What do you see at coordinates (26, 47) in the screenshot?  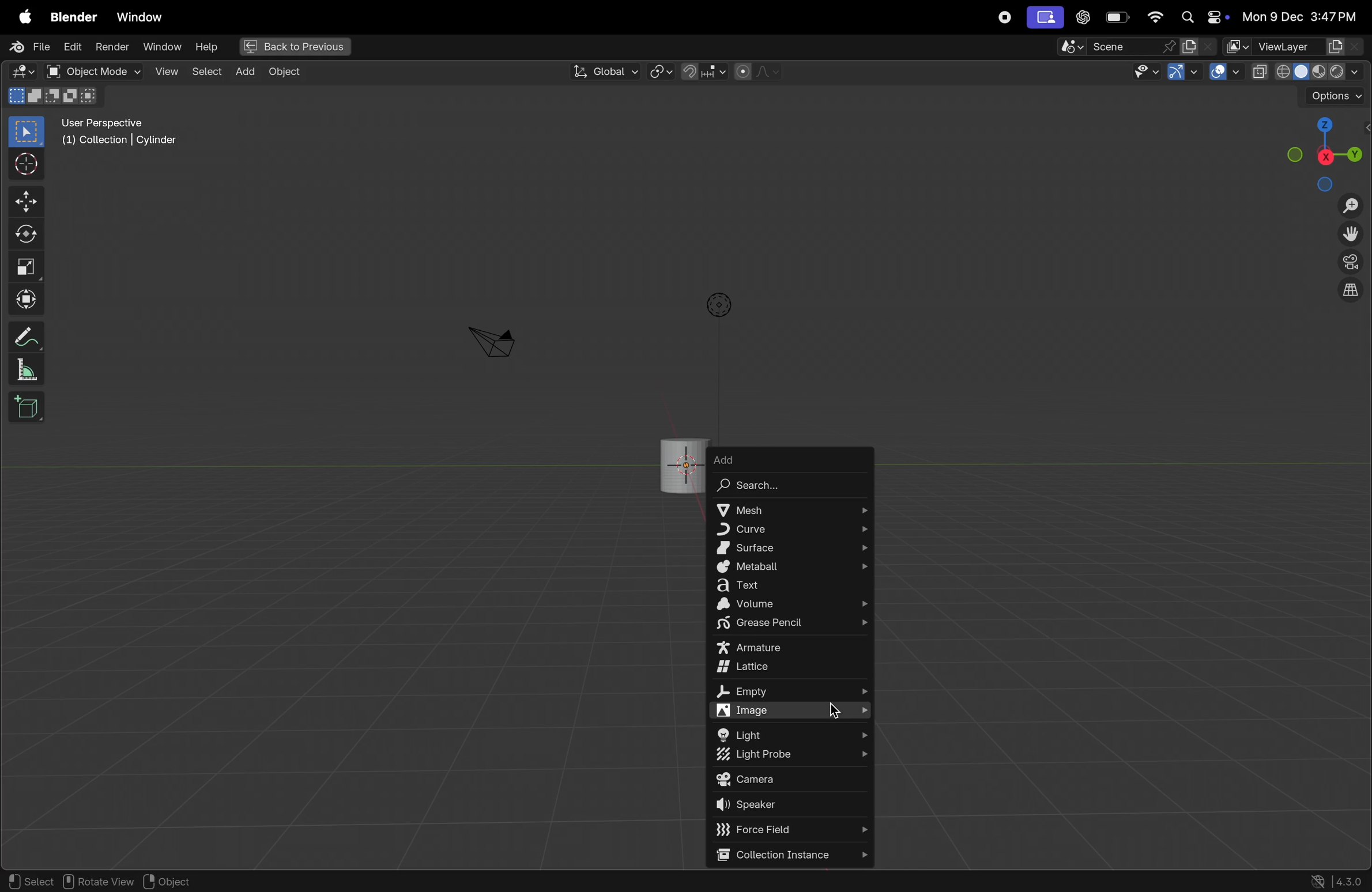 I see `File` at bounding box center [26, 47].